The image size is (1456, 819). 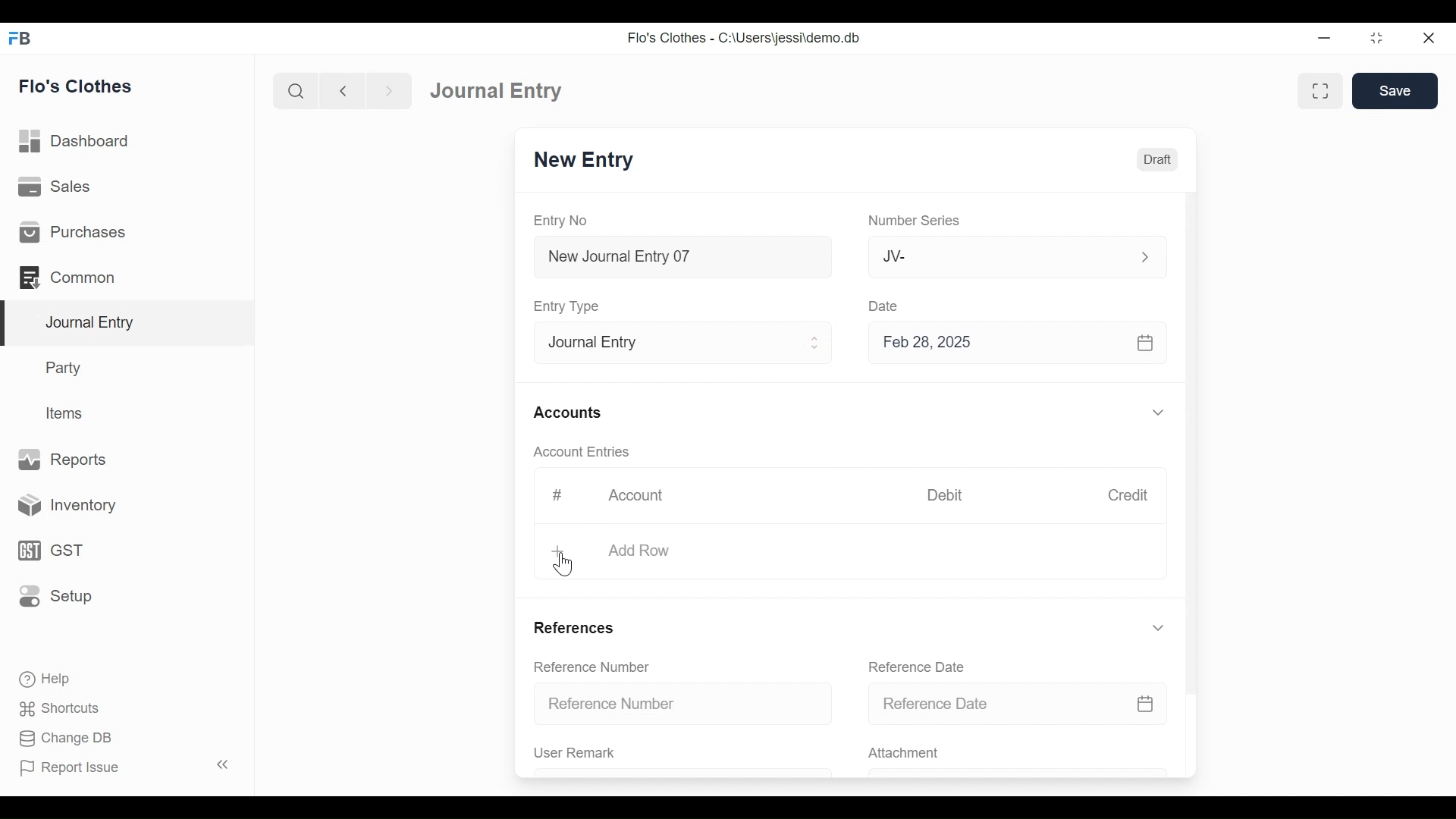 I want to click on Common, so click(x=70, y=277).